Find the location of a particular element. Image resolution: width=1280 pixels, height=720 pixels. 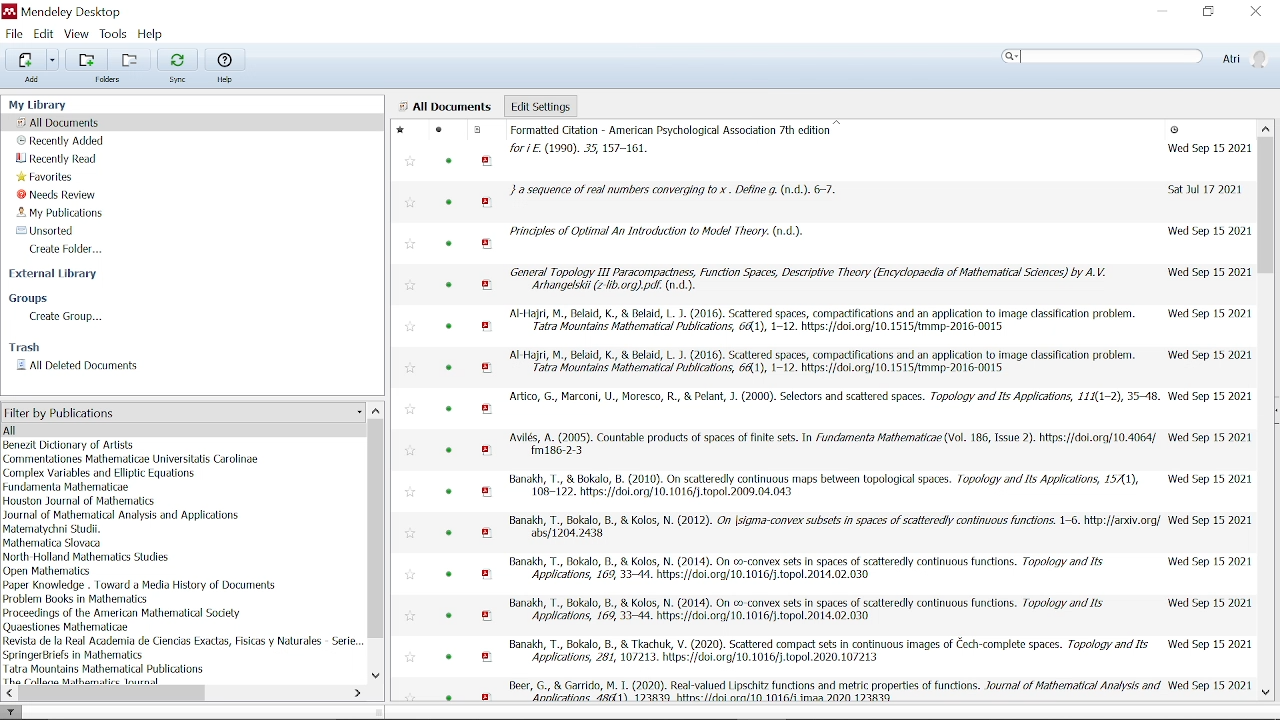

author is located at coordinates (70, 445).